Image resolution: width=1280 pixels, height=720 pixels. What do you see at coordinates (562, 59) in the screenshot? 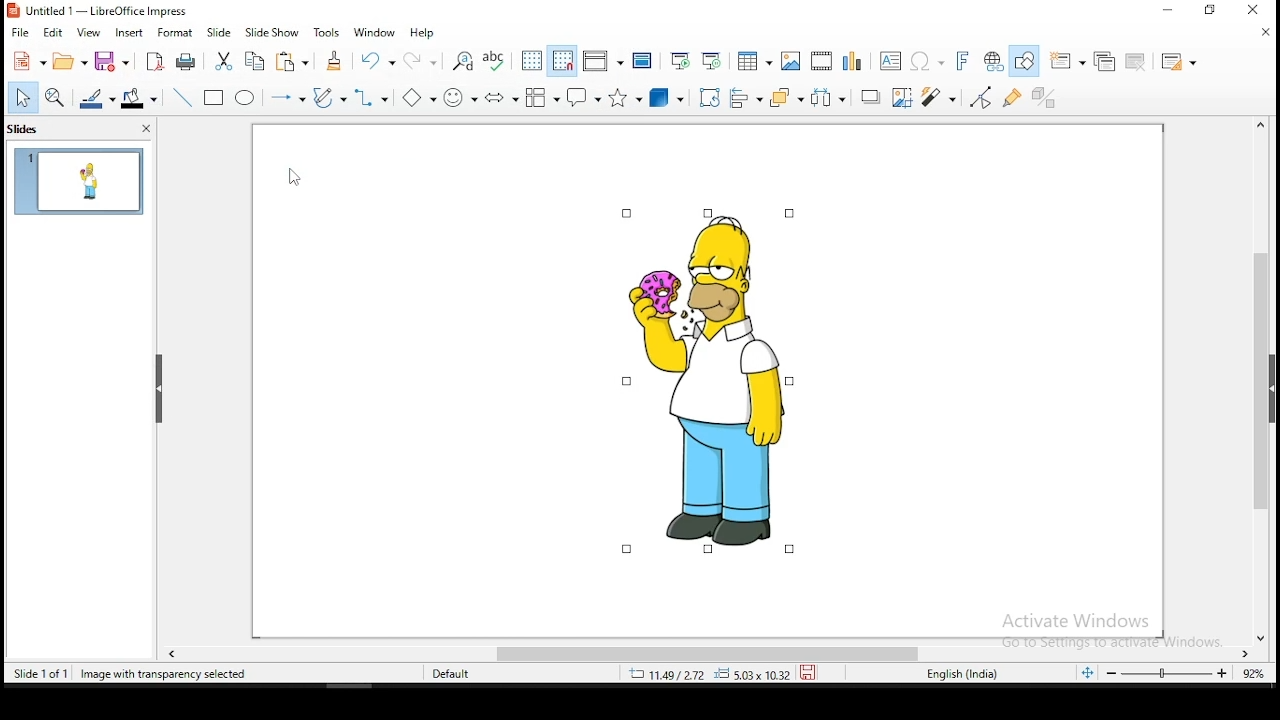
I see `snap to grid` at bounding box center [562, 59].